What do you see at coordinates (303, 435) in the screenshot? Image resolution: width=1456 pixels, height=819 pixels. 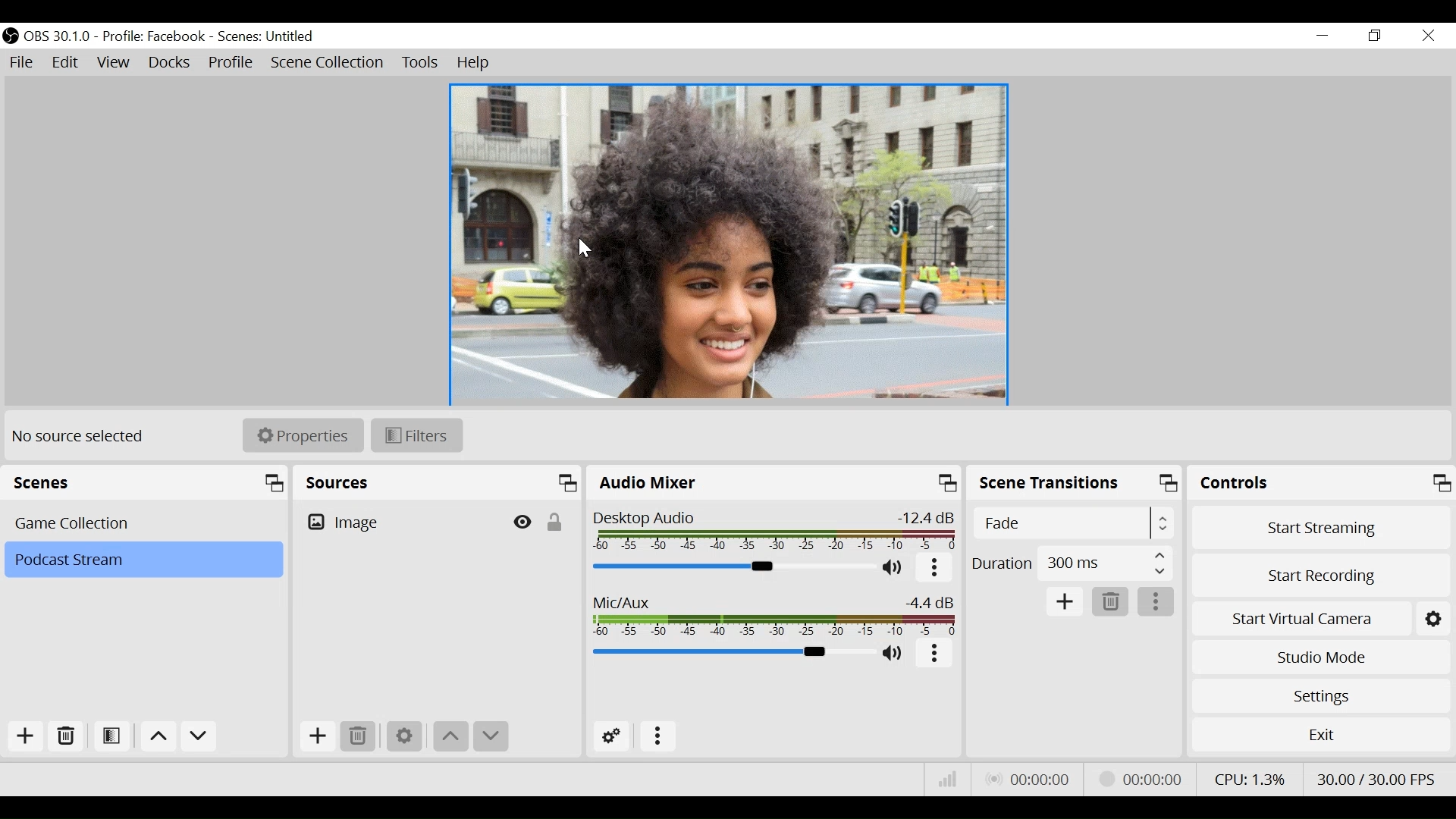 I see `Properties` at bounding box center [303, 435].